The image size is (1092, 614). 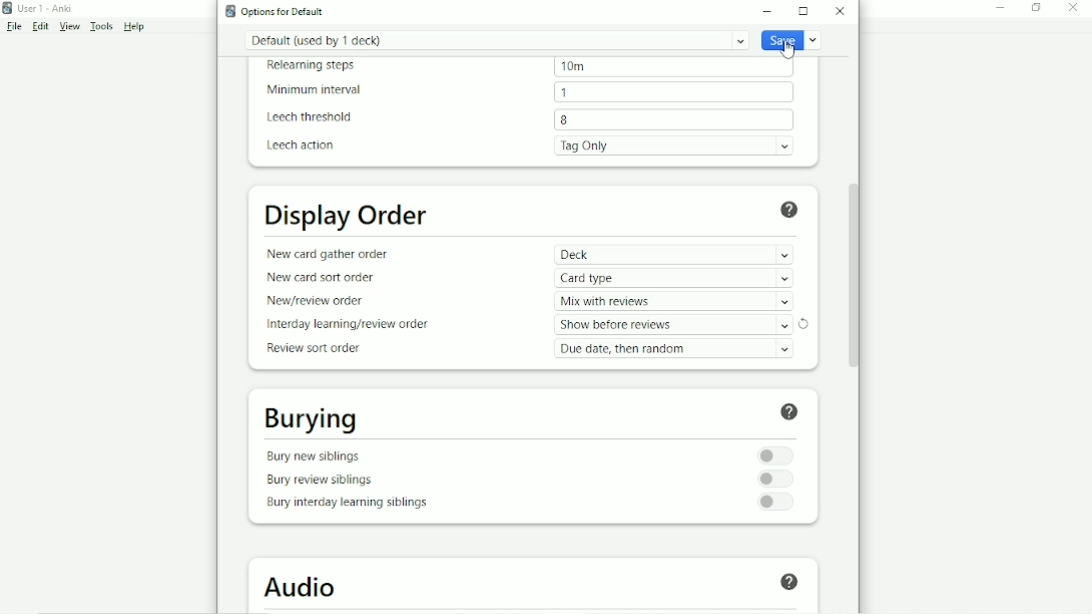 What do you see at coordinates (347, 215) in the screenshot?
I see `Display Order` at bounding box center [347, 215].